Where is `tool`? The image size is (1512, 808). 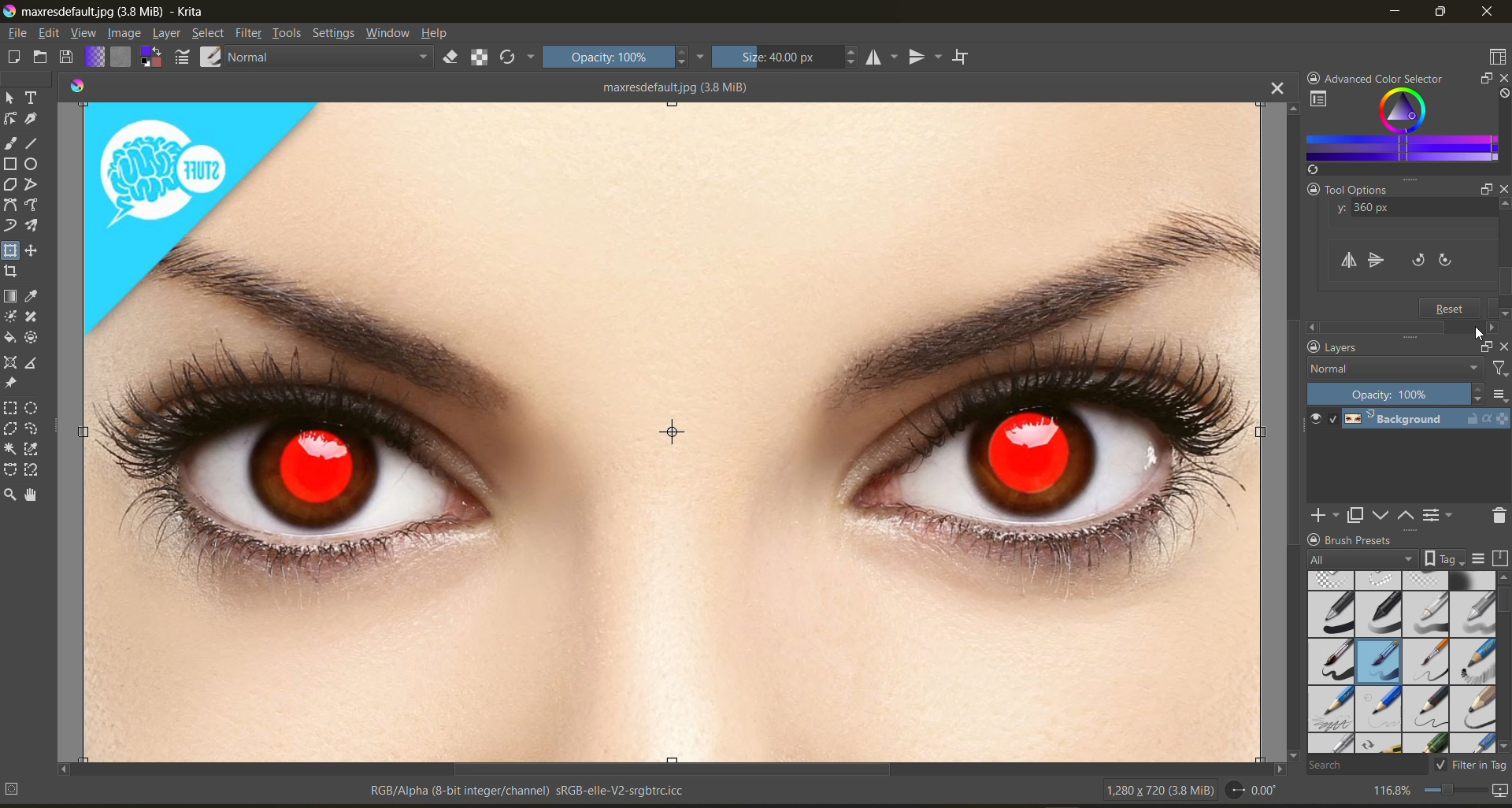
tool is located at coordinates (33, 450).